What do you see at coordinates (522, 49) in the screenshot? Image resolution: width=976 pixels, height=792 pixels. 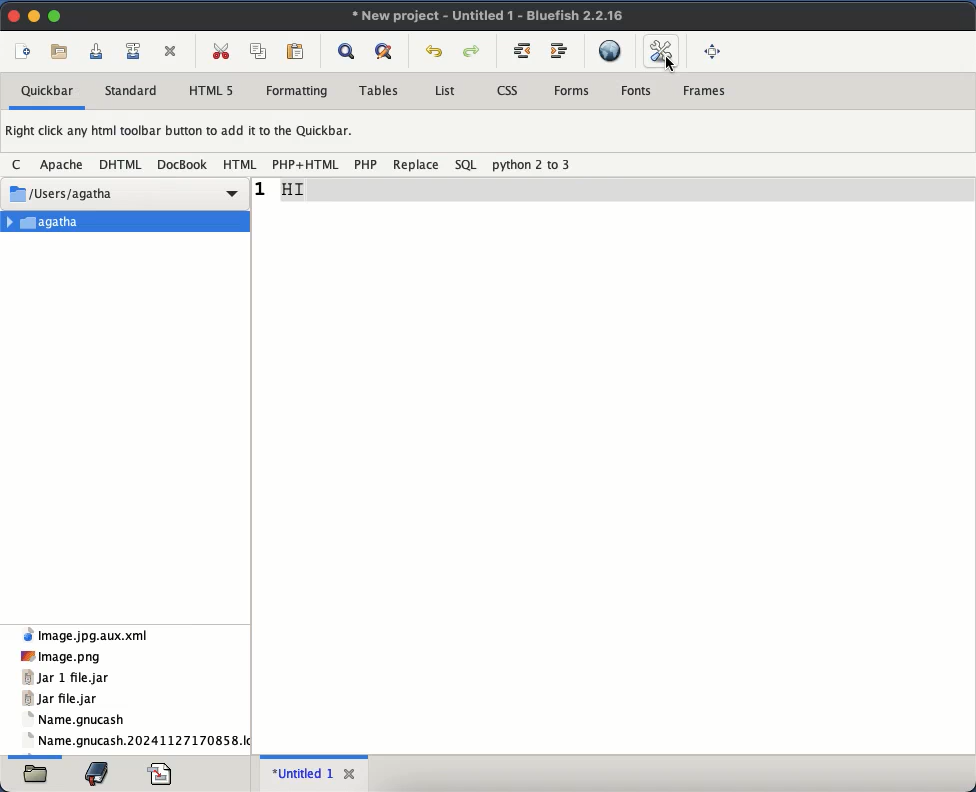 I see `unindent` at bounding box center [522, 49].